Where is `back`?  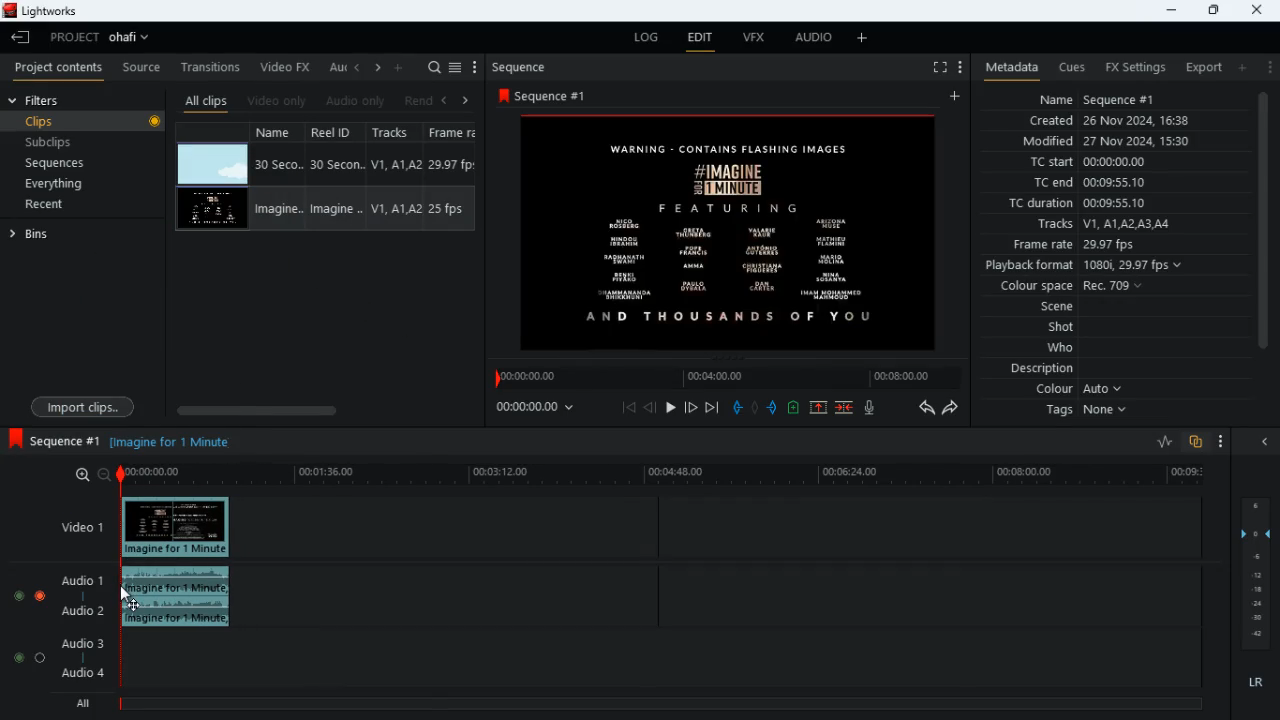
back is located at coordinates (650, 408).